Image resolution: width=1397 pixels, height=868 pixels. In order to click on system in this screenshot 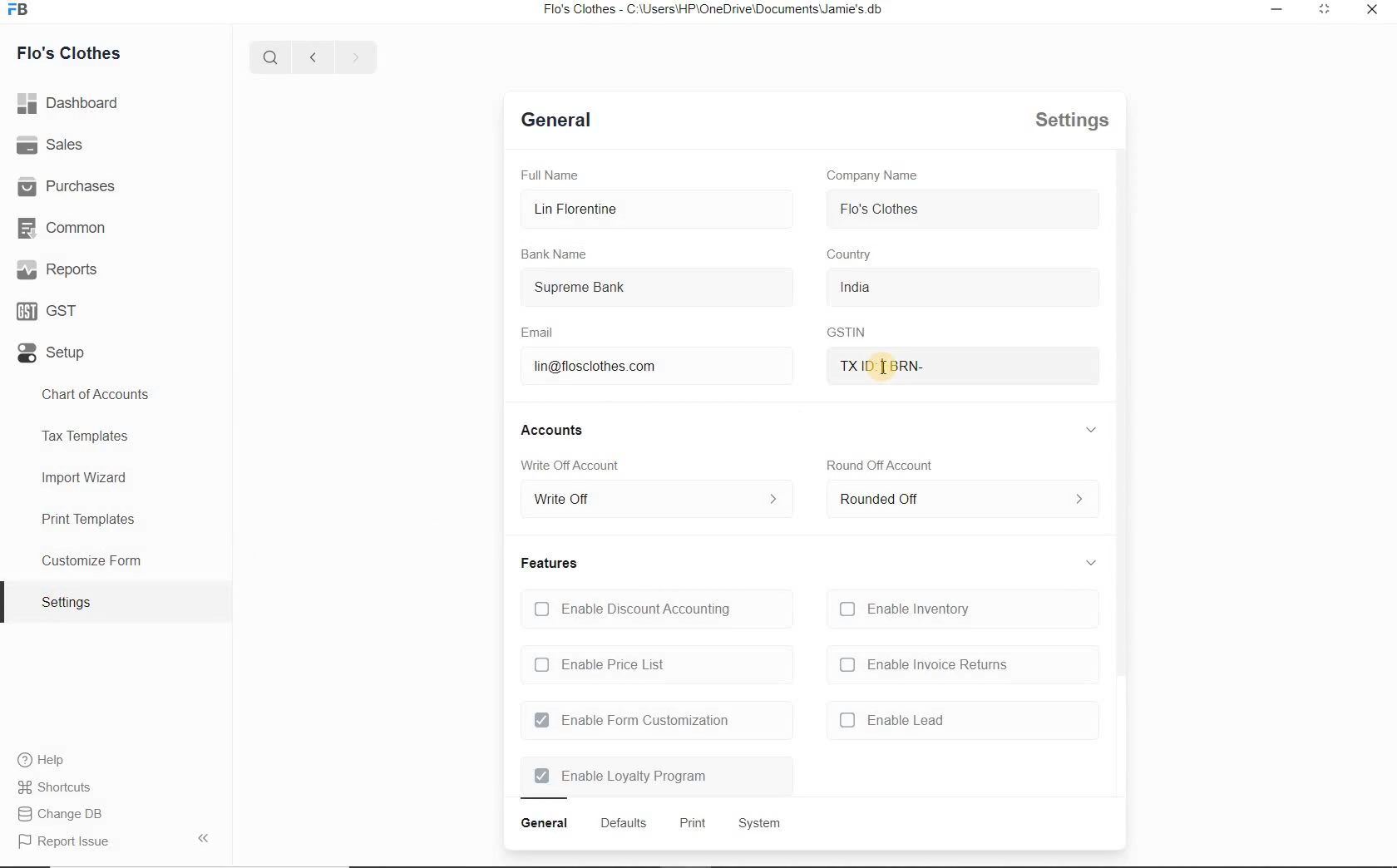, I will do `click(758, 822)`.